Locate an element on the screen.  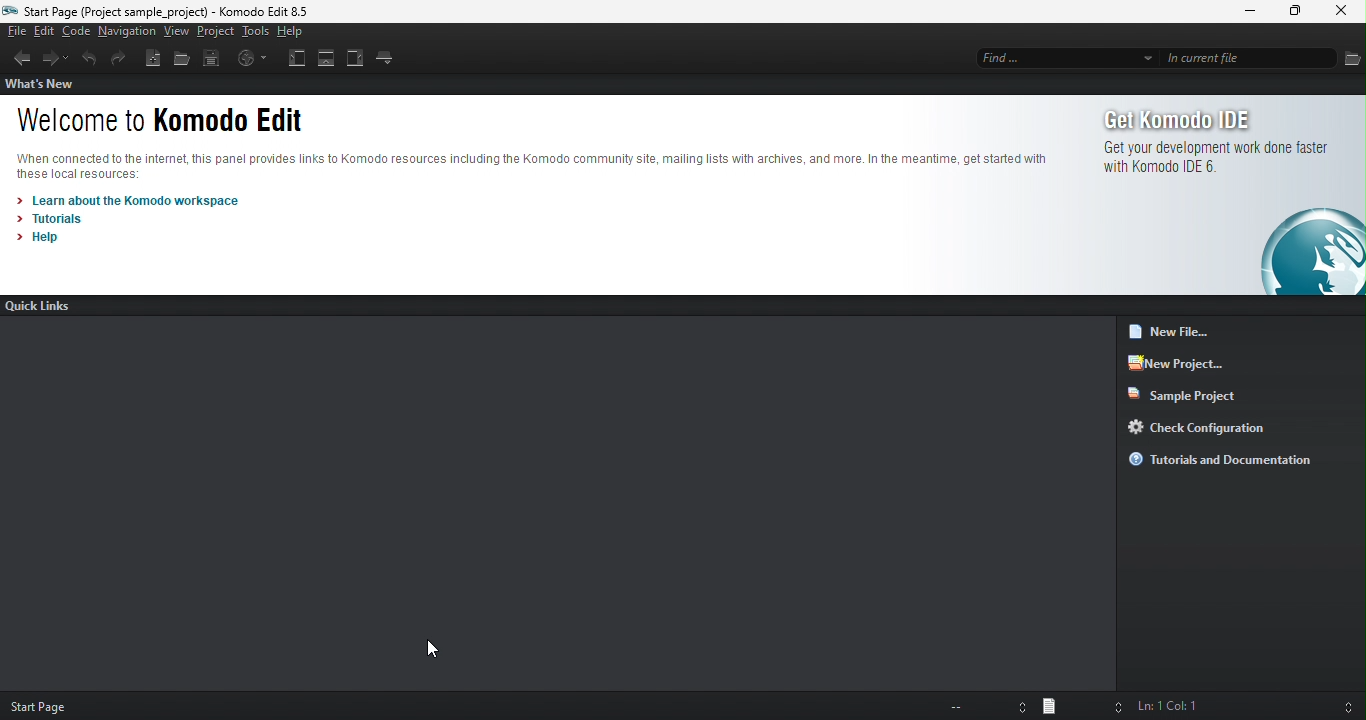
quick links is located at coordinates (59, 303).